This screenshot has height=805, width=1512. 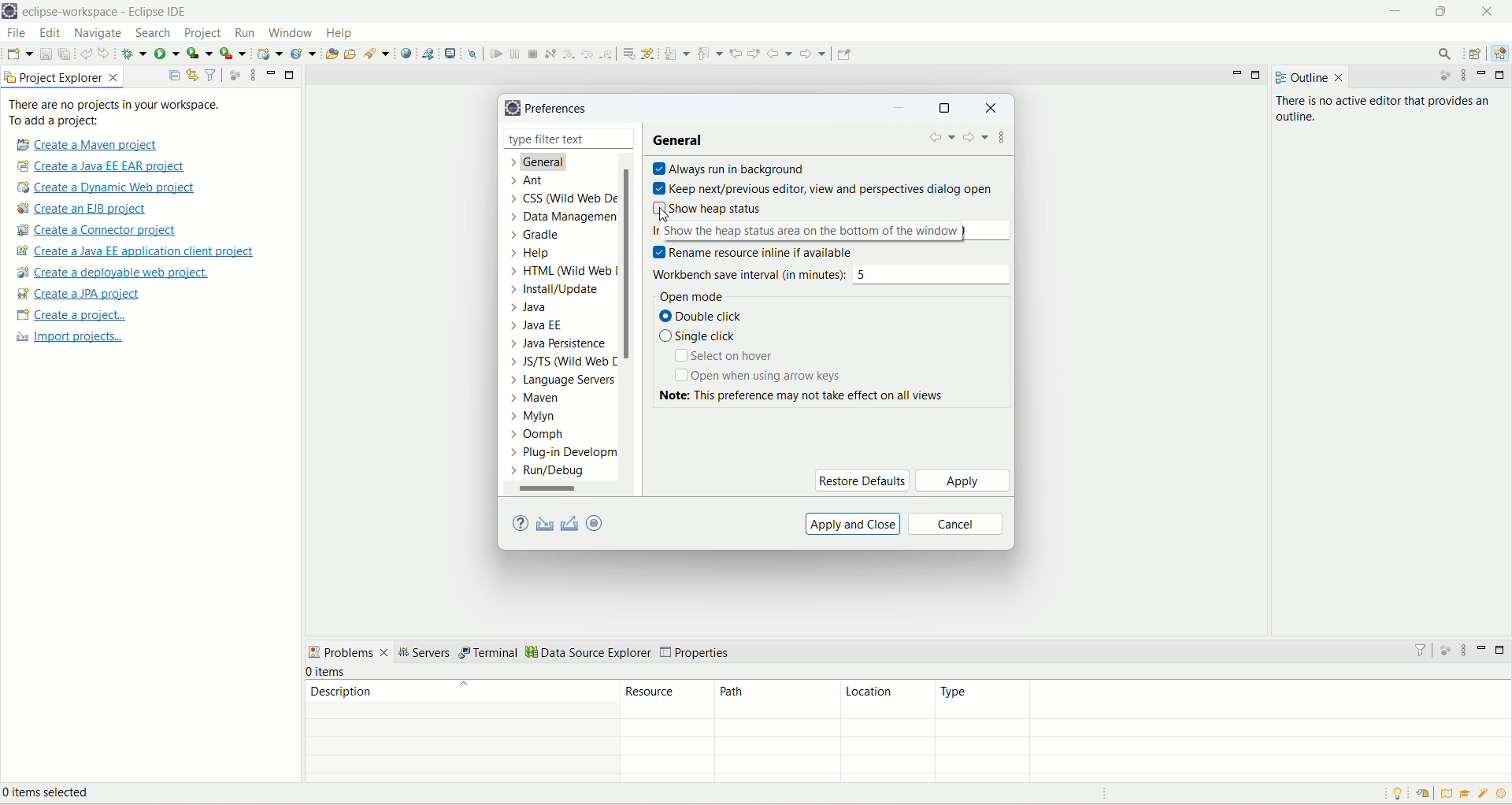 What do you see at coordinates (559, 109) in the screenshot?
I see `preference` at bounding box center [559, 109].